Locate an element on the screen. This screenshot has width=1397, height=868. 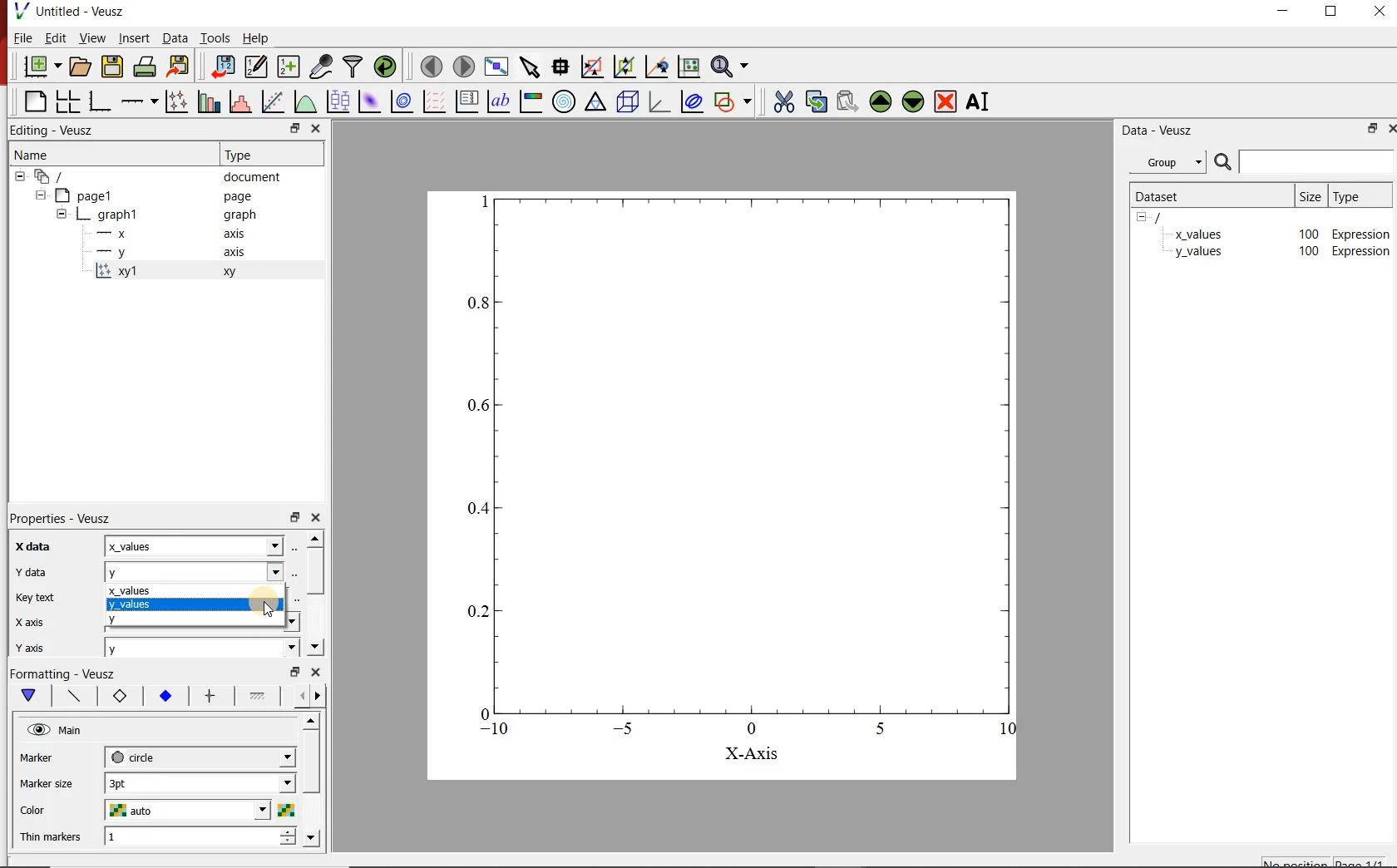
text label is located at coordinates (496, 101).